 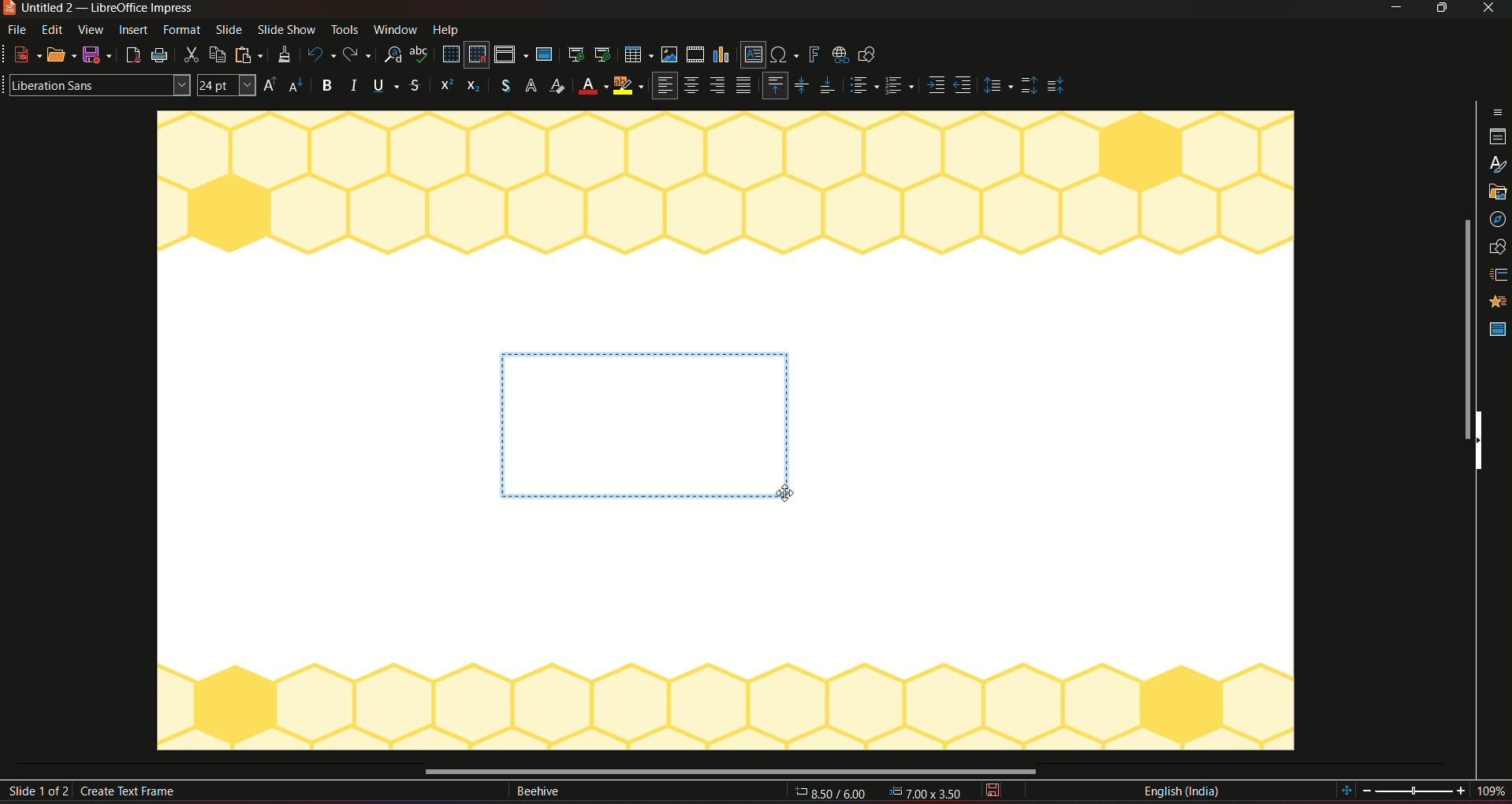 I want to click on Align center, so click(x=802, y=84).